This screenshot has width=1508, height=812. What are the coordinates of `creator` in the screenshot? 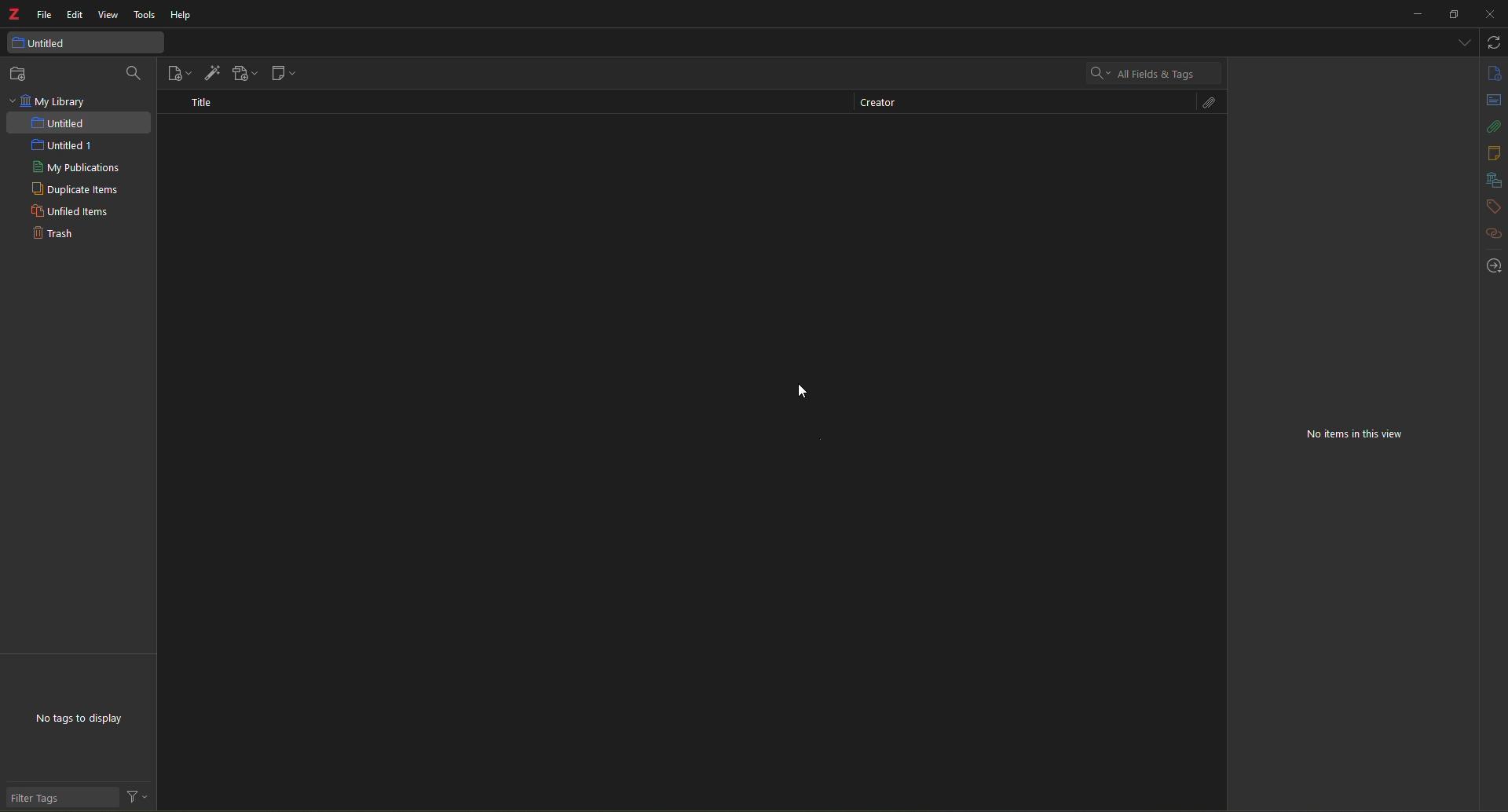 It's located at (875, 101).